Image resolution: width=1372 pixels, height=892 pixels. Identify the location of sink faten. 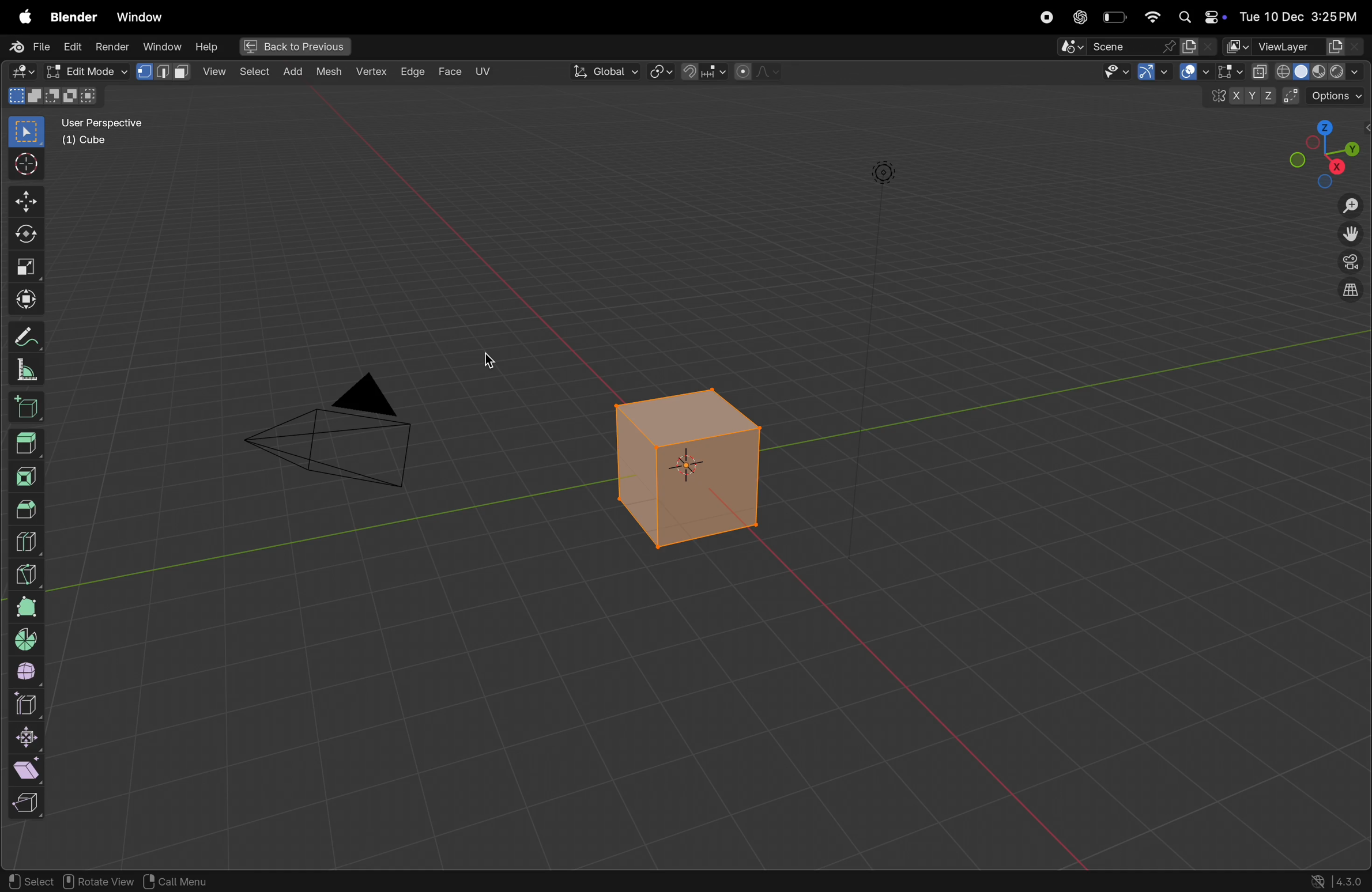
(29, 738).